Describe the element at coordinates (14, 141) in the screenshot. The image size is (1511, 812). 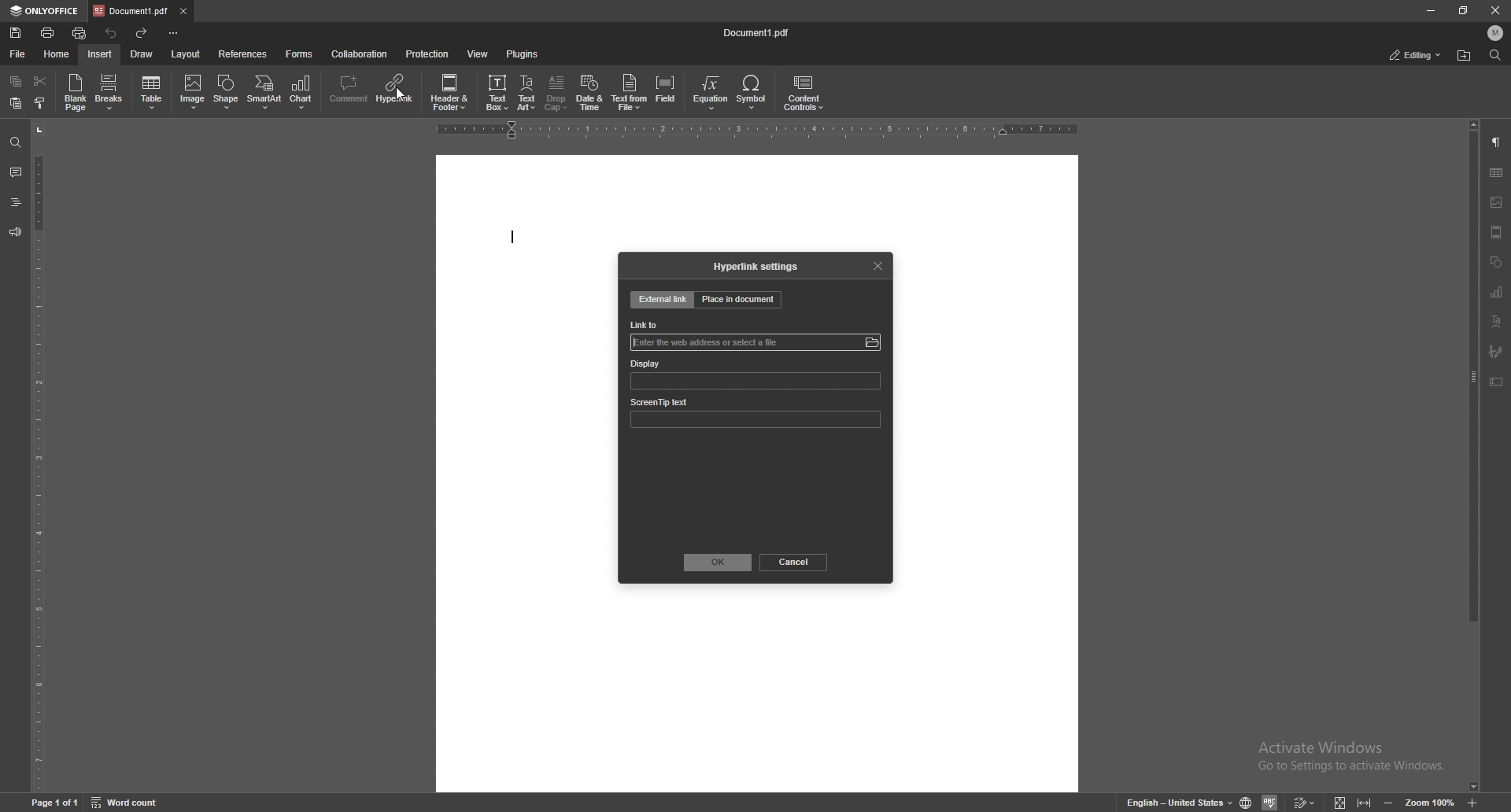
I see `find` at that location.